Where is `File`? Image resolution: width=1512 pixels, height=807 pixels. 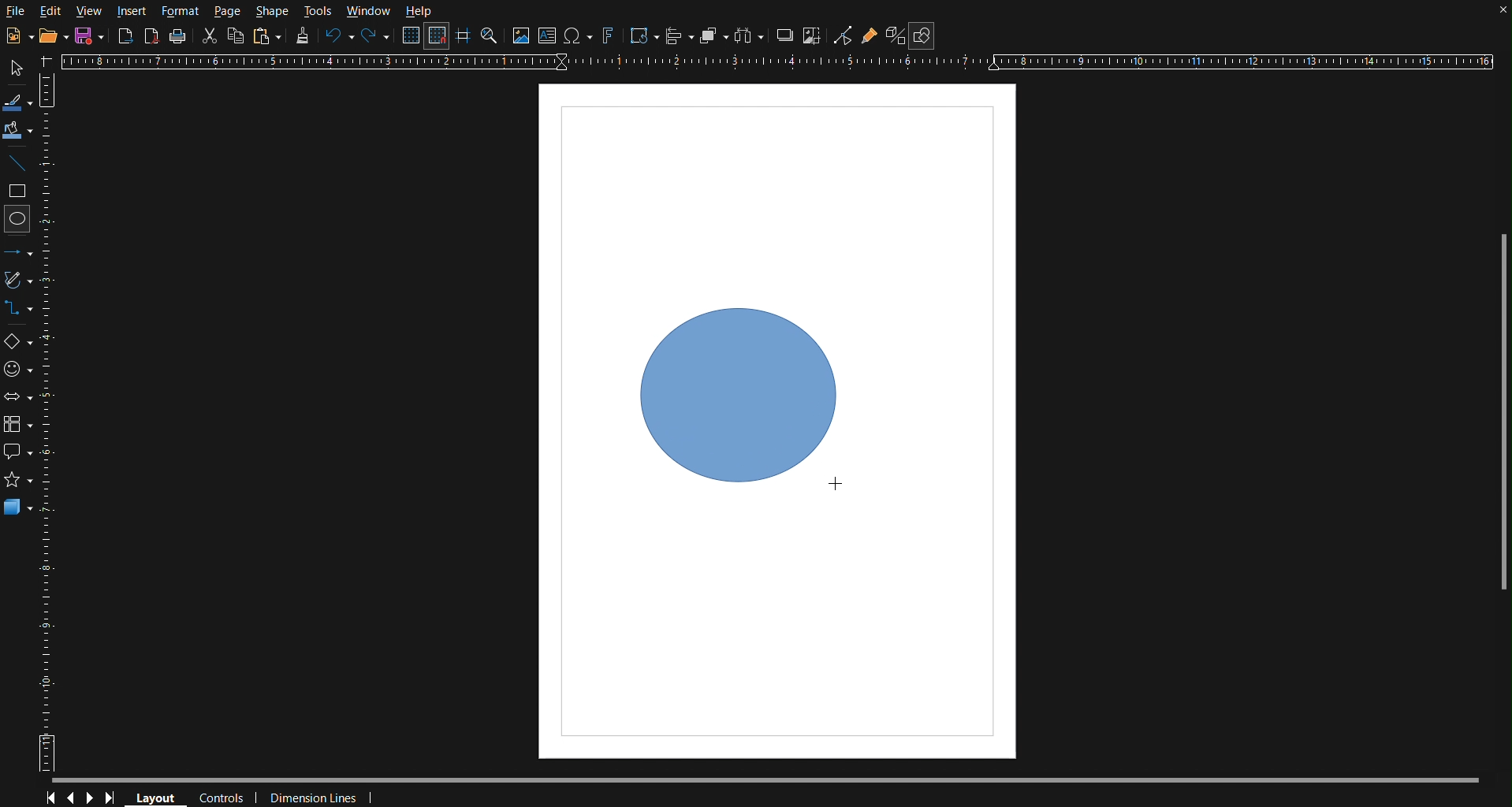 File is located at coordinates (17, 13).